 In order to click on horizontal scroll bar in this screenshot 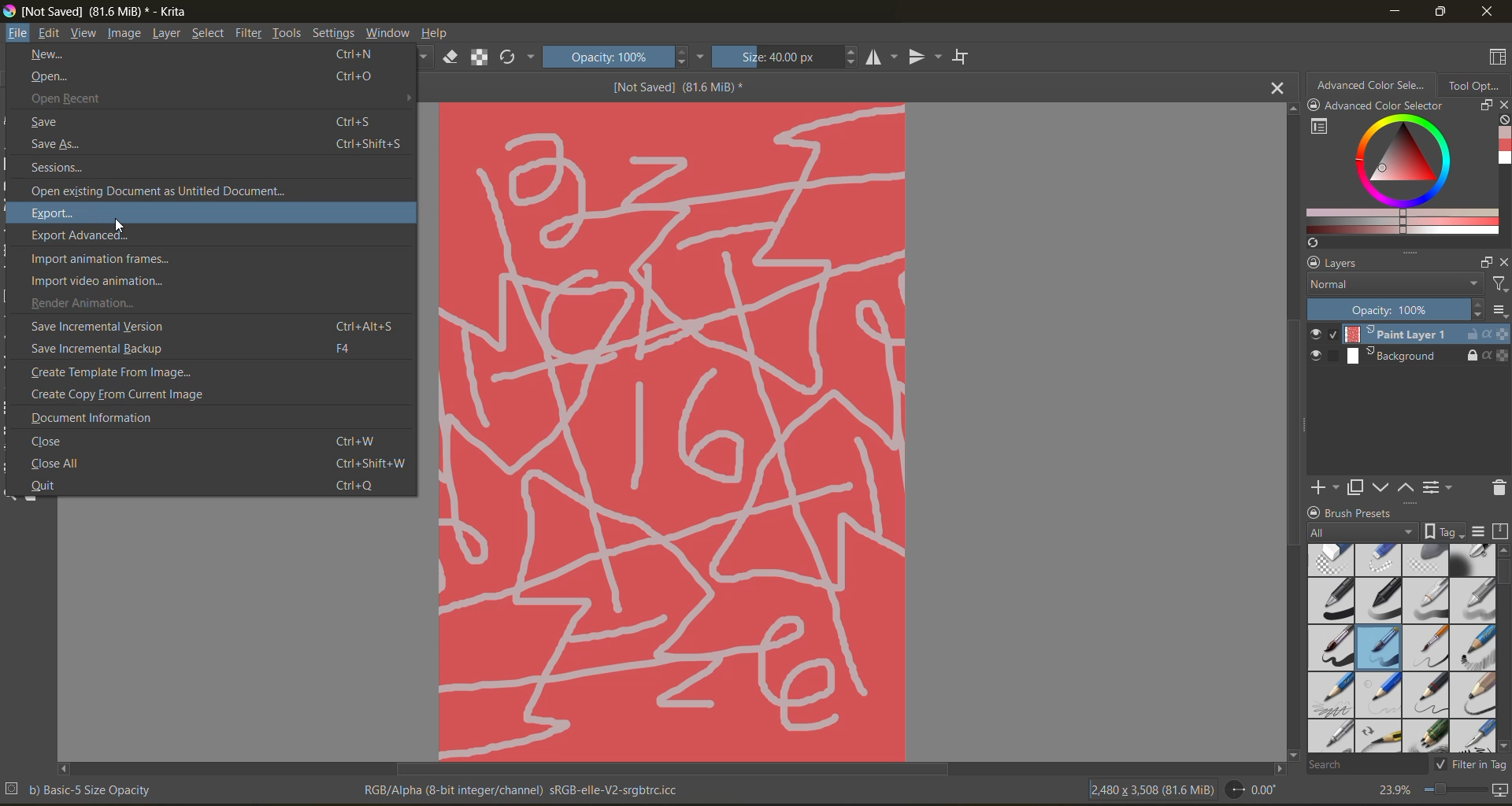, I will do `click(671, 769)`.